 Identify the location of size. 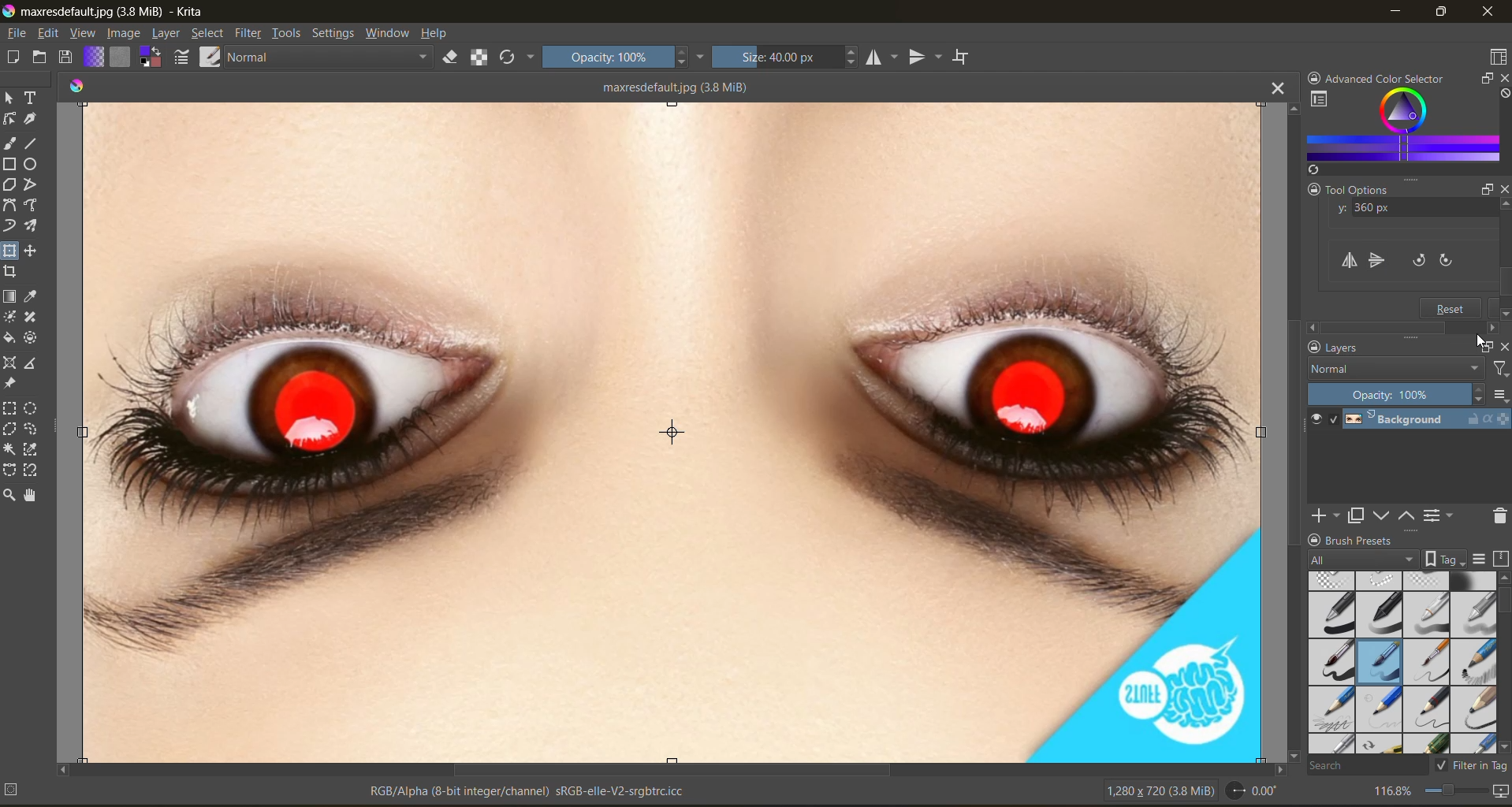
(785, 58).